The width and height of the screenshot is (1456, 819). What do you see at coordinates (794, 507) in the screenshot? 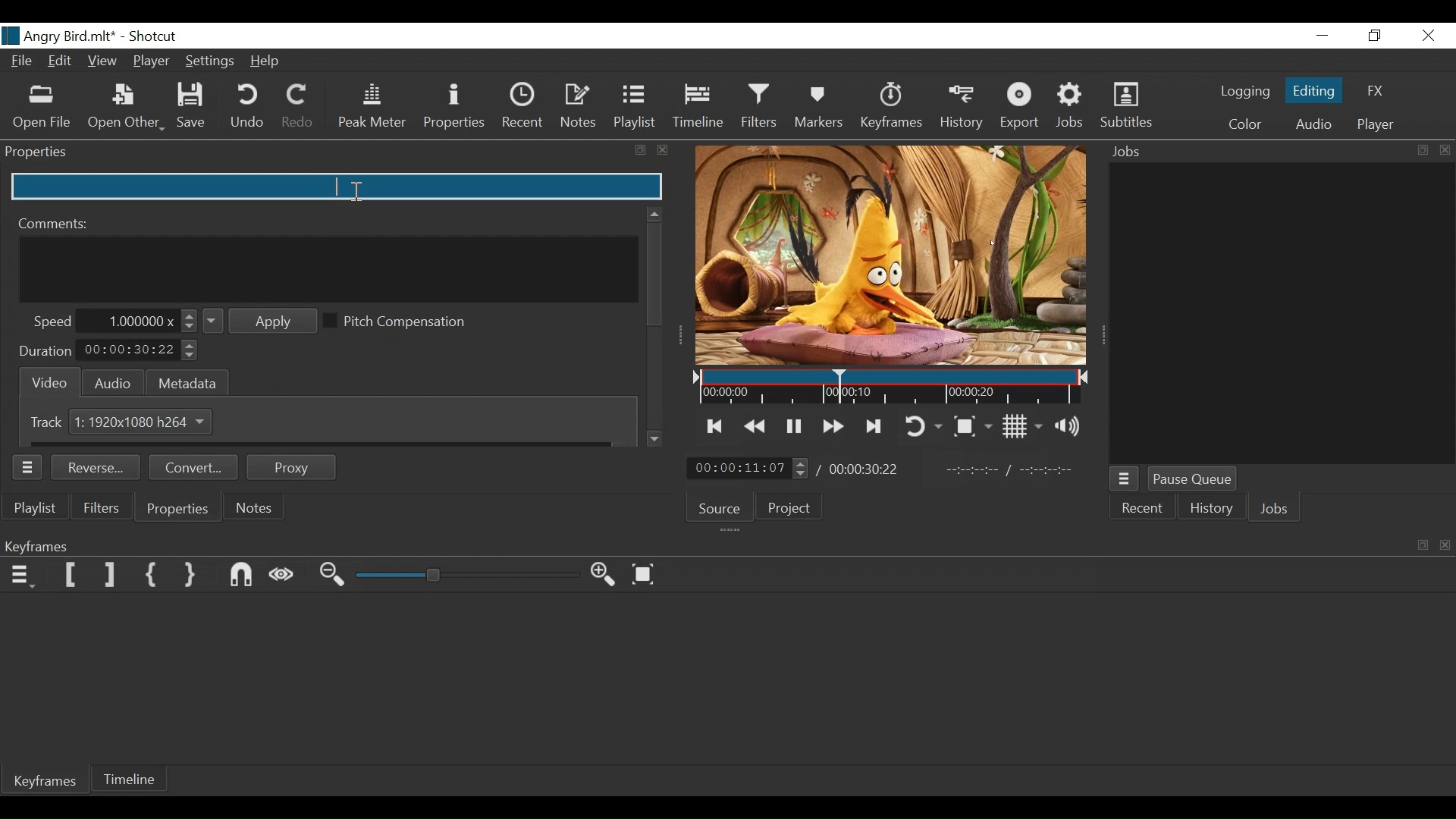
I see `Project` at bounding box center [794, 507].